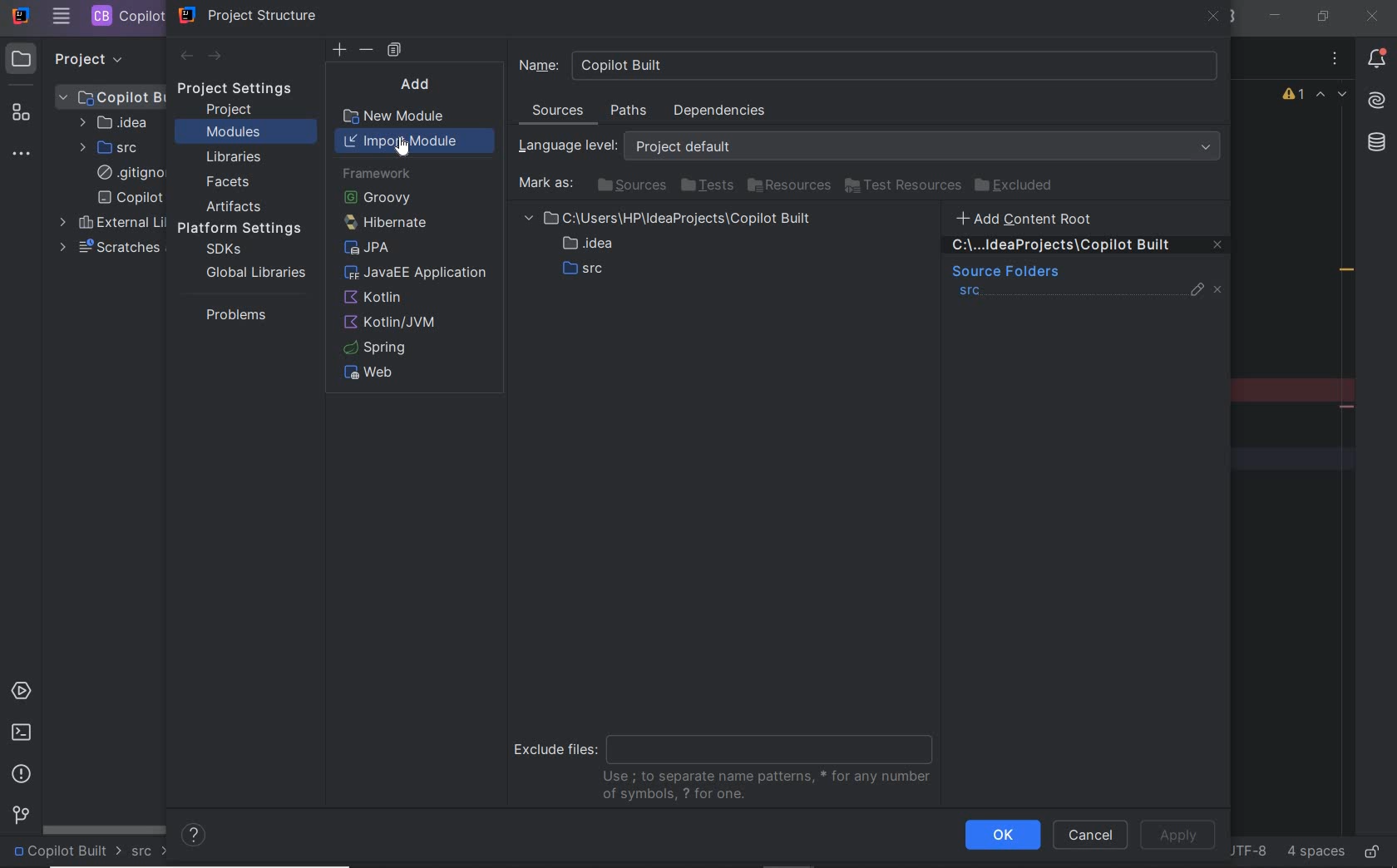 The image size is (1397, 868). I want to click on JavaEE Application, so click(417, 274).